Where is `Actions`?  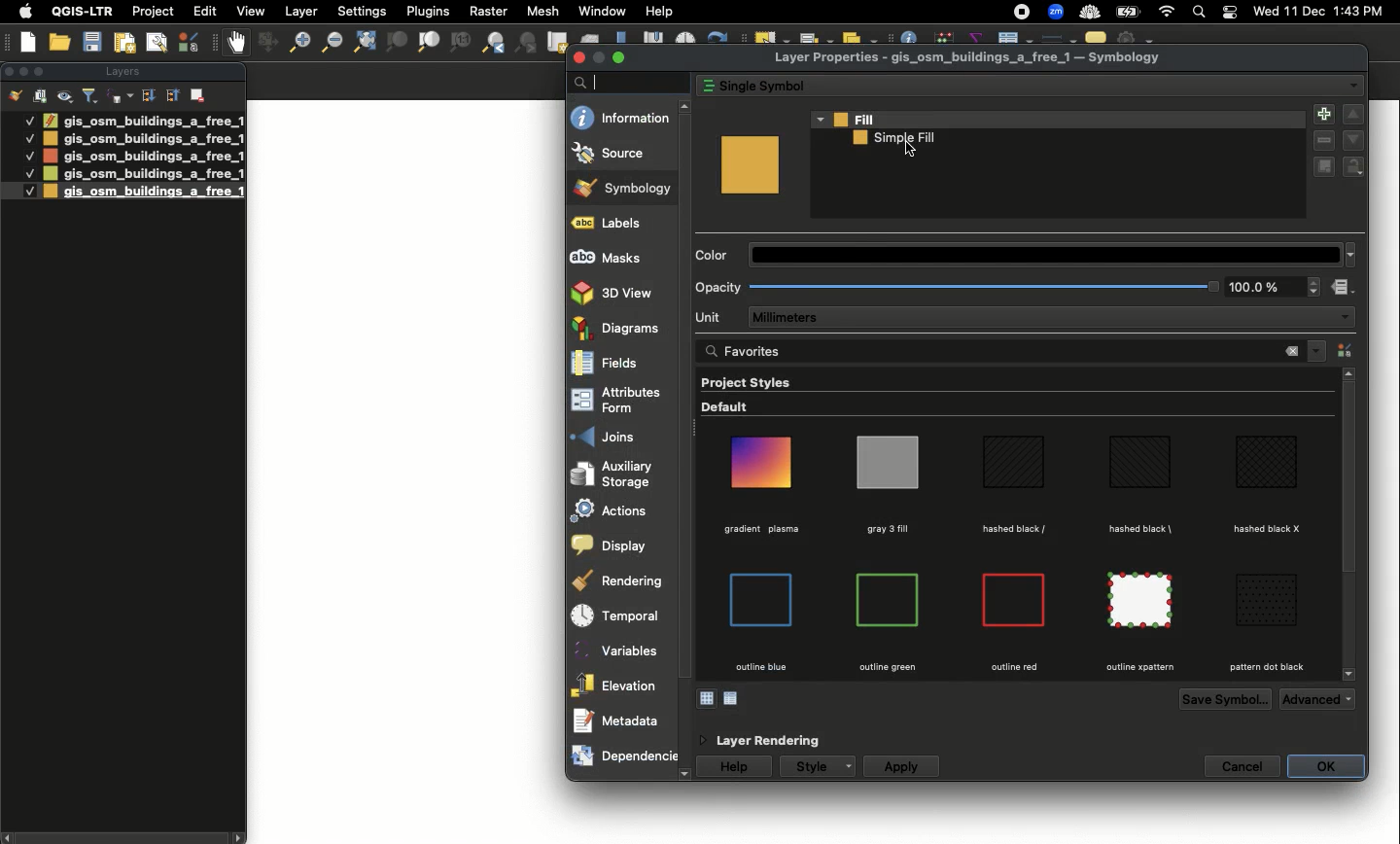
Actions is located at coordinates (618, 510).